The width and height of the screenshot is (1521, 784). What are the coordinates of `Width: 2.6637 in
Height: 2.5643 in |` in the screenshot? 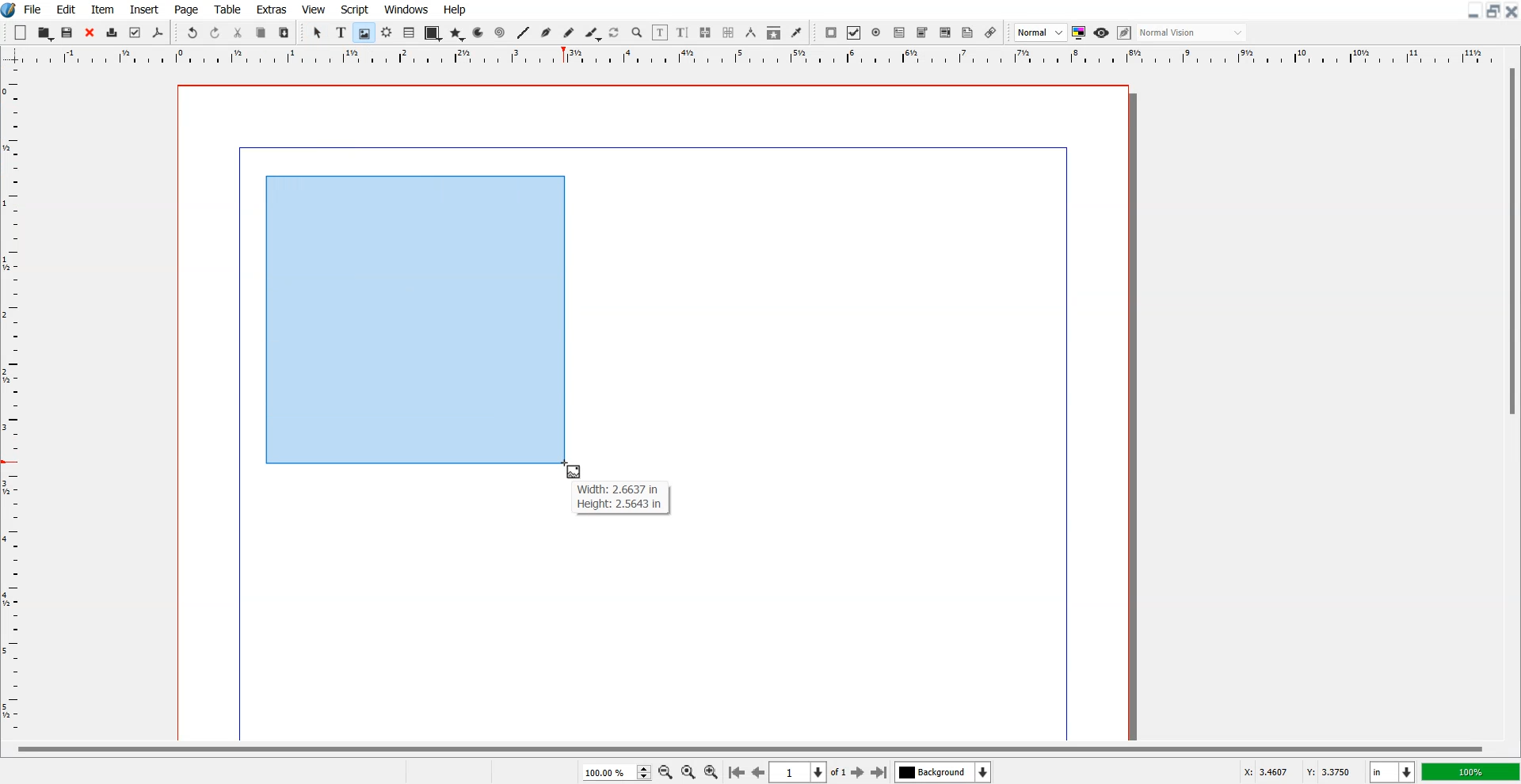 It's located at (620, 497).